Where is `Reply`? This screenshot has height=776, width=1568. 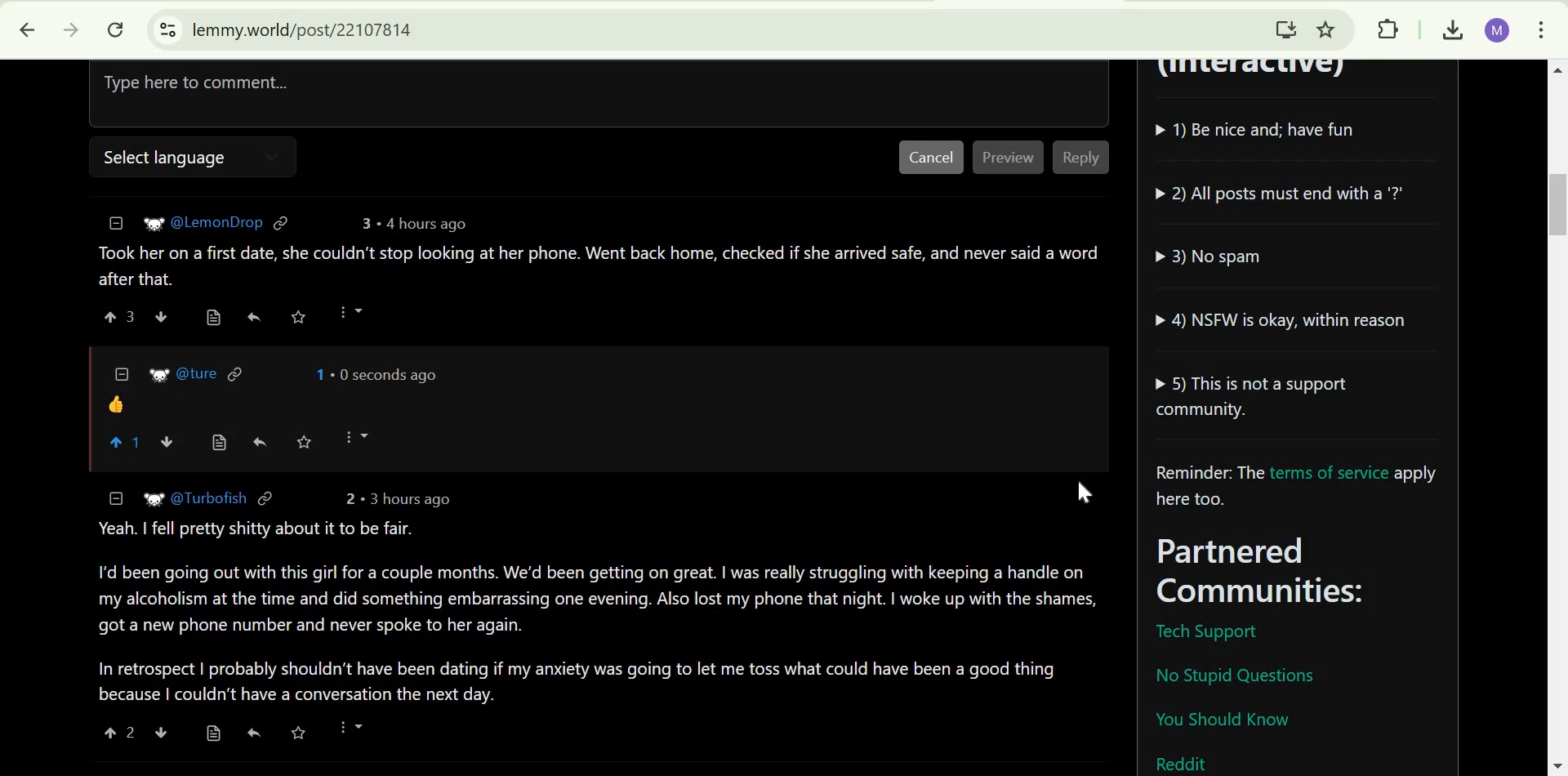 Reply is located at coordinates (1080, 158).